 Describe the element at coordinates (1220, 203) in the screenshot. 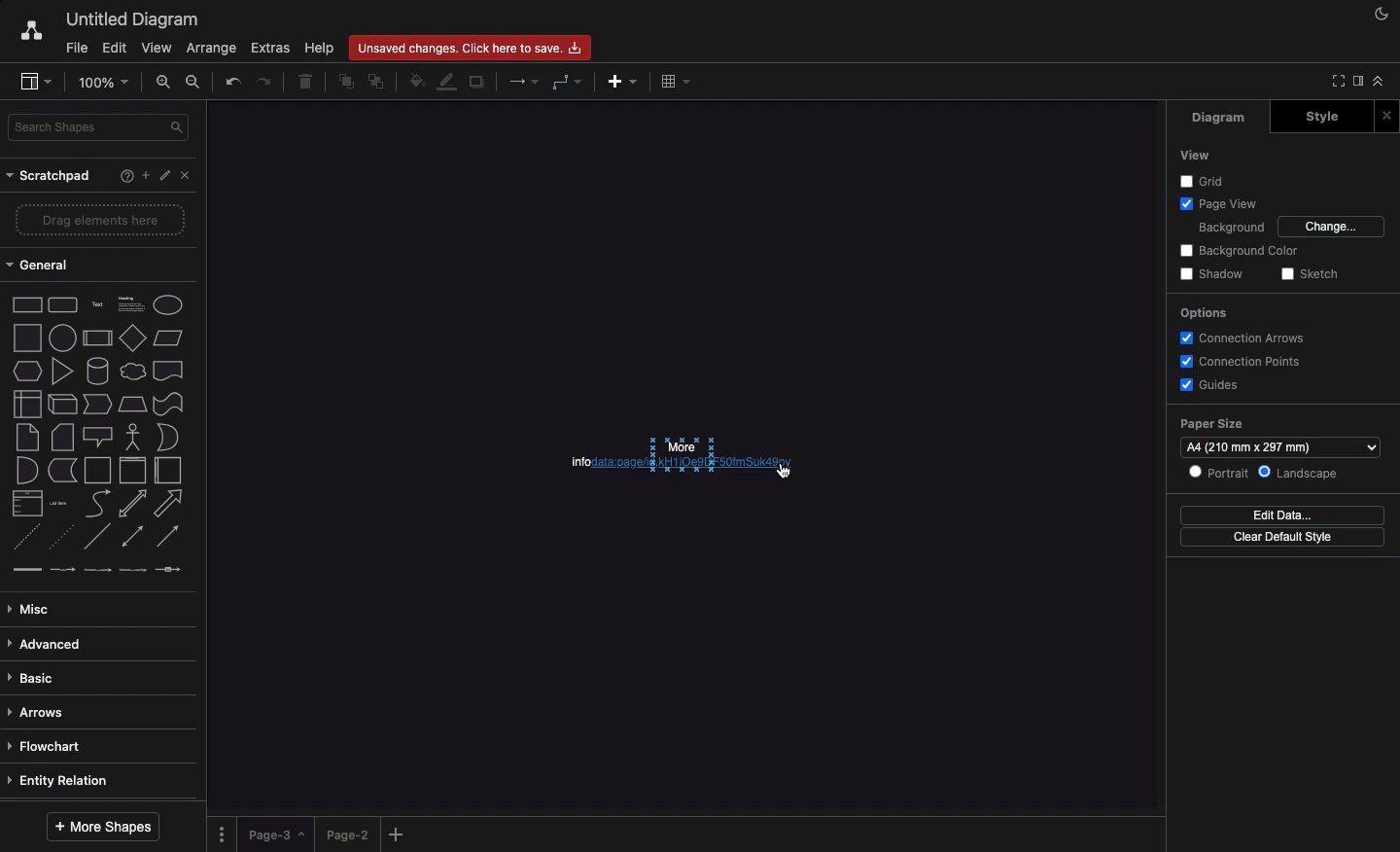

I see `Page view` at that location.